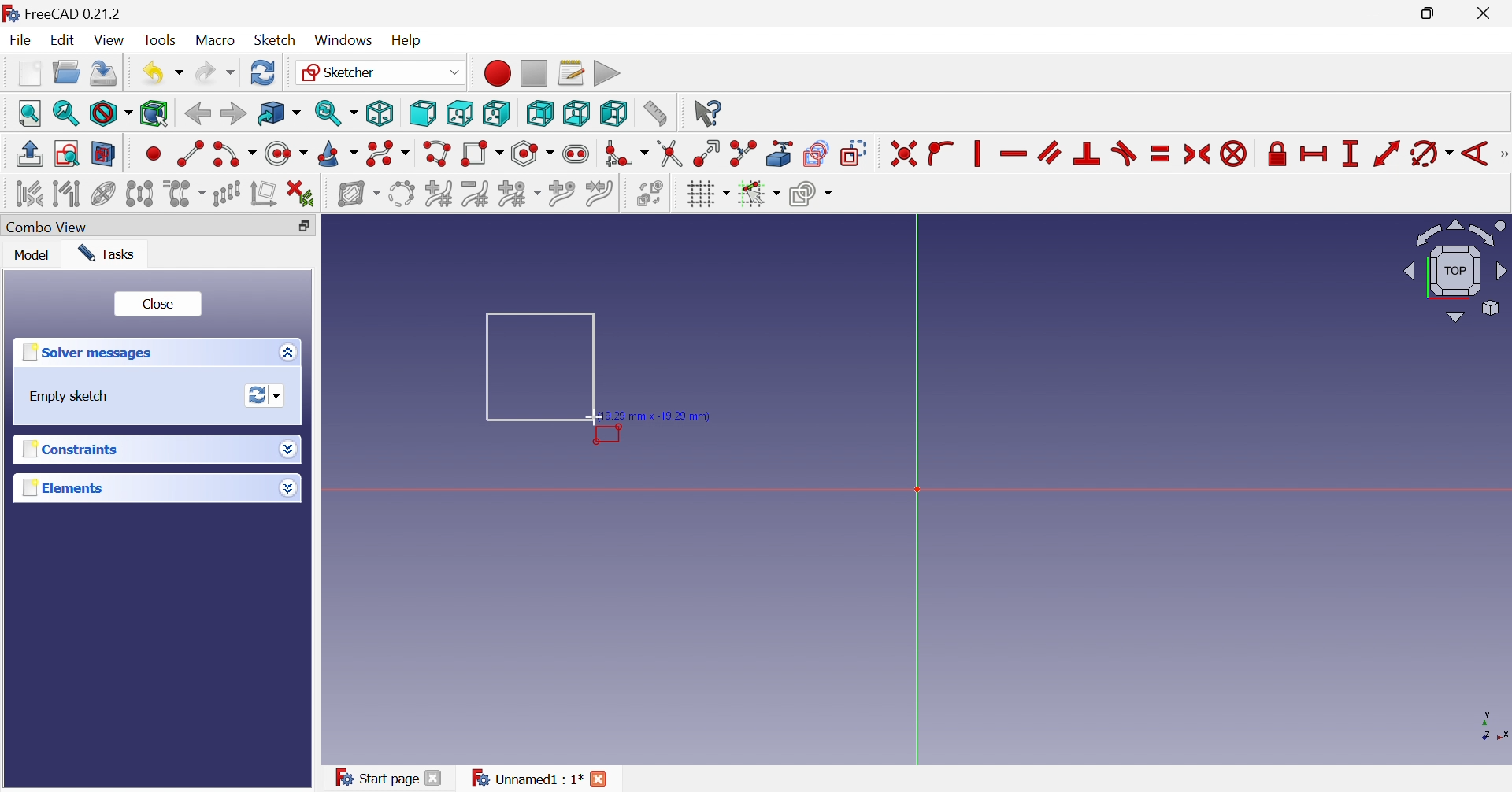  I want to click on Macro, so click(214, 41).